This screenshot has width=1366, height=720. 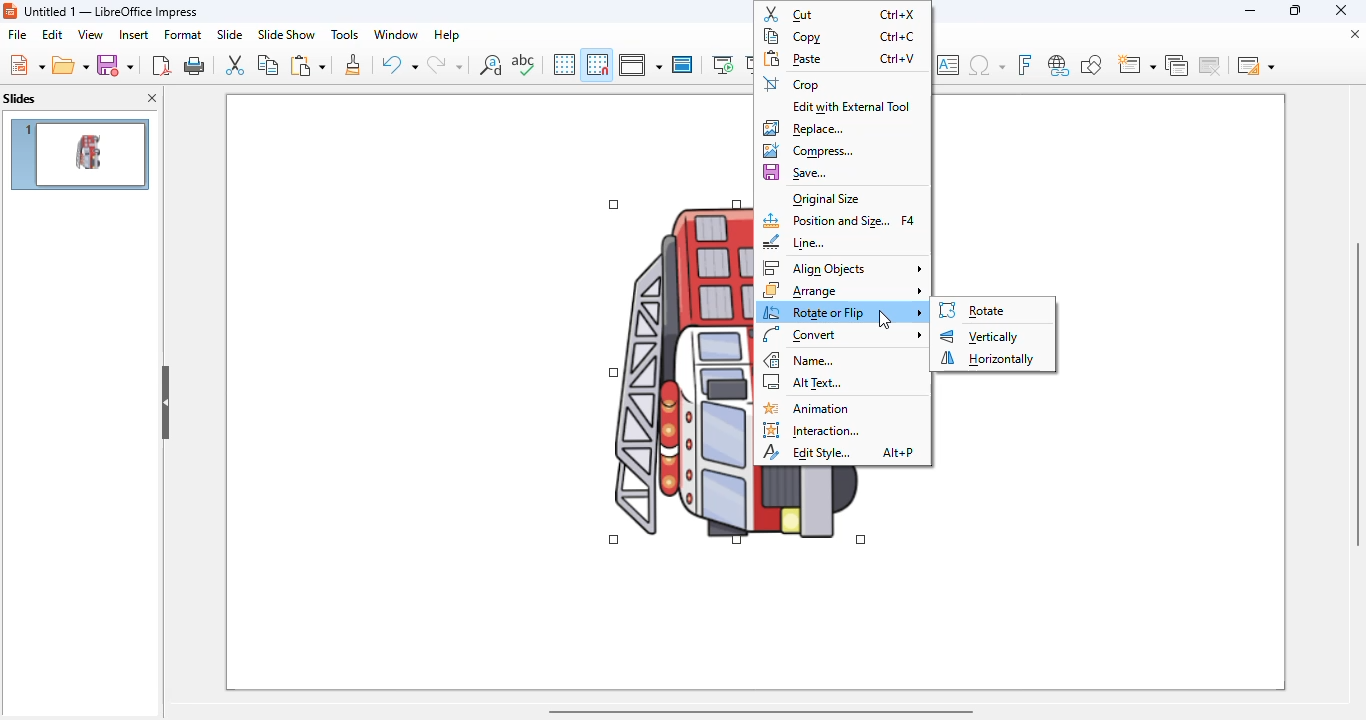 I want to click on rotate or flip, so click(x=843, y=313).